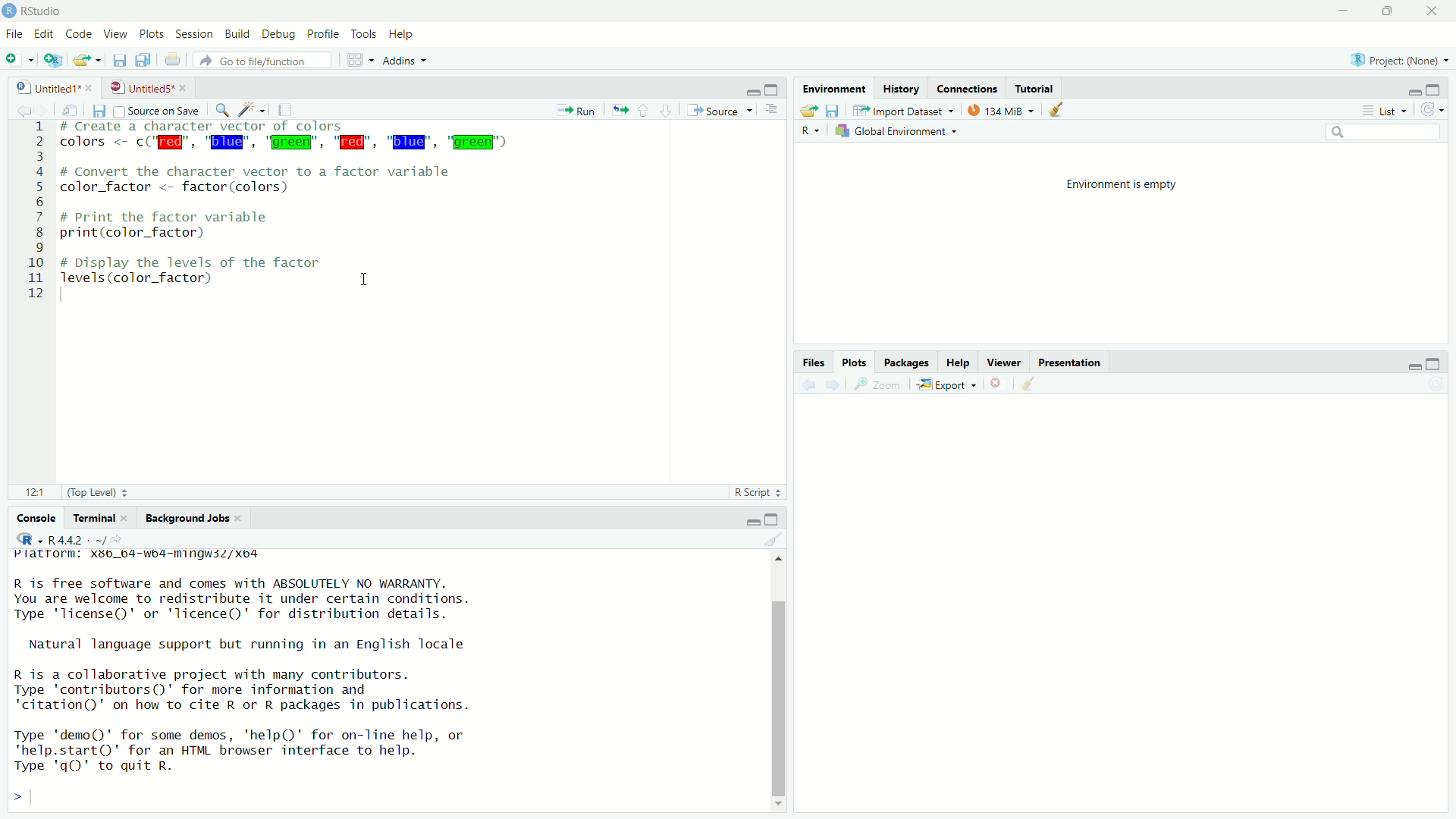 This screenshot has height=819, width=1456. What do you see at coordinates (289, 110) in the screenshot?
I see `compile report` at bounding box center [289, 110].